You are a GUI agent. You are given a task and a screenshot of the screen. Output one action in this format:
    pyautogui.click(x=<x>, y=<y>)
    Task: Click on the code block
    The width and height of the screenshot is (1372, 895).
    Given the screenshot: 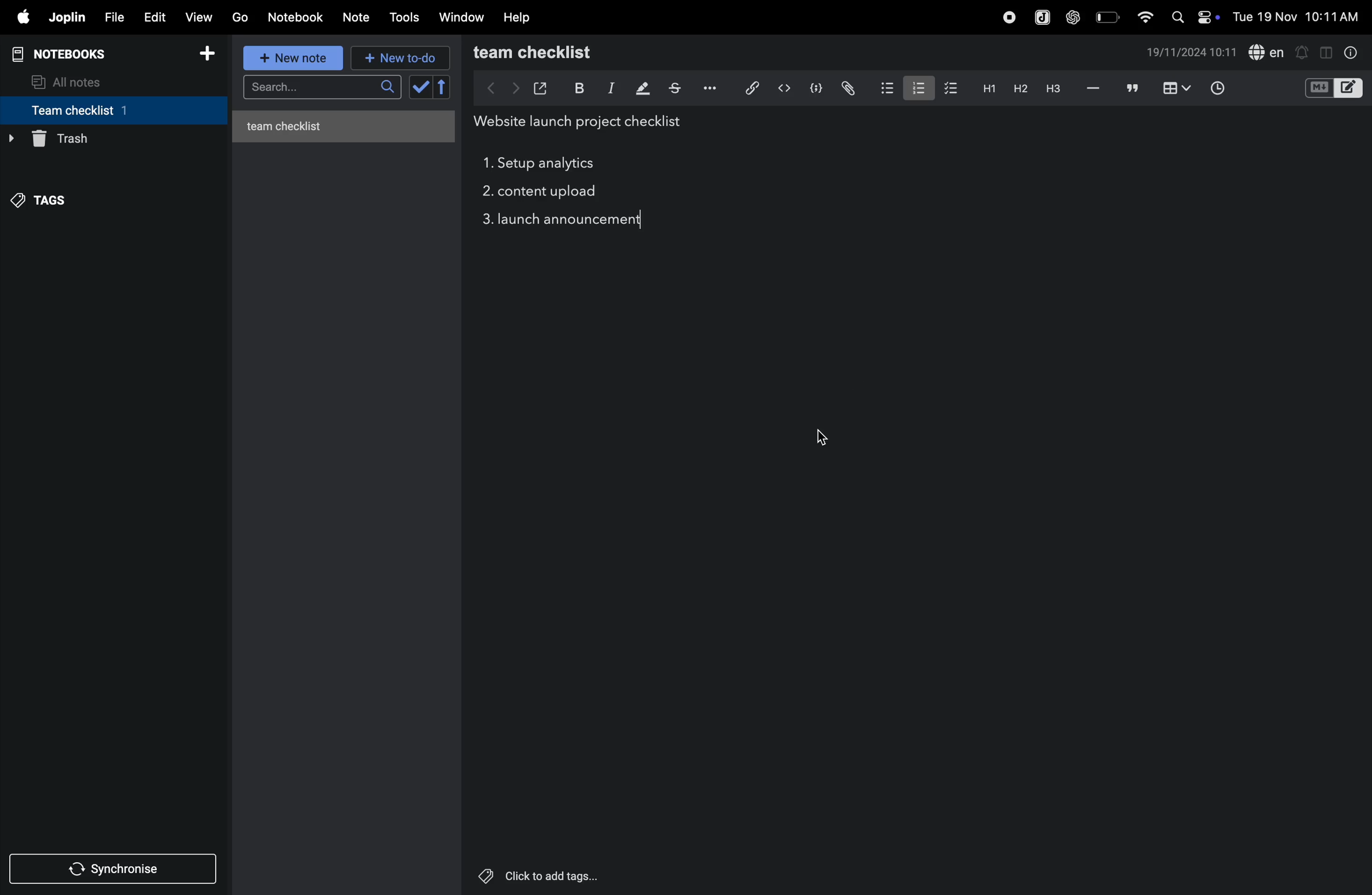 What is the action you would take?
    pyautogui.click(x=816, y=87)
    